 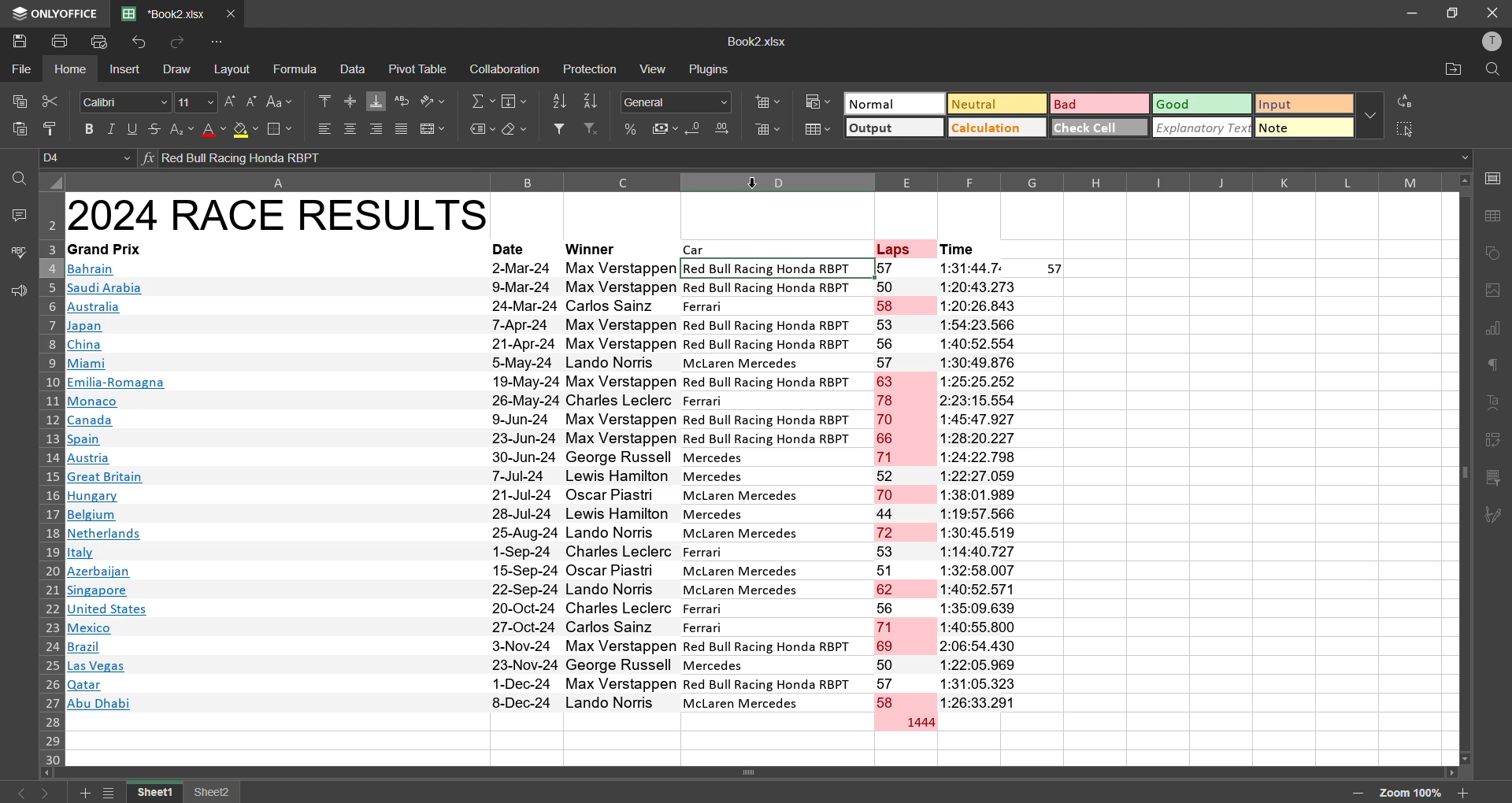 What do you see at coordinates (17, 254) in the screenshot?
I see `spellcheck` at bounding box center [17, 254].